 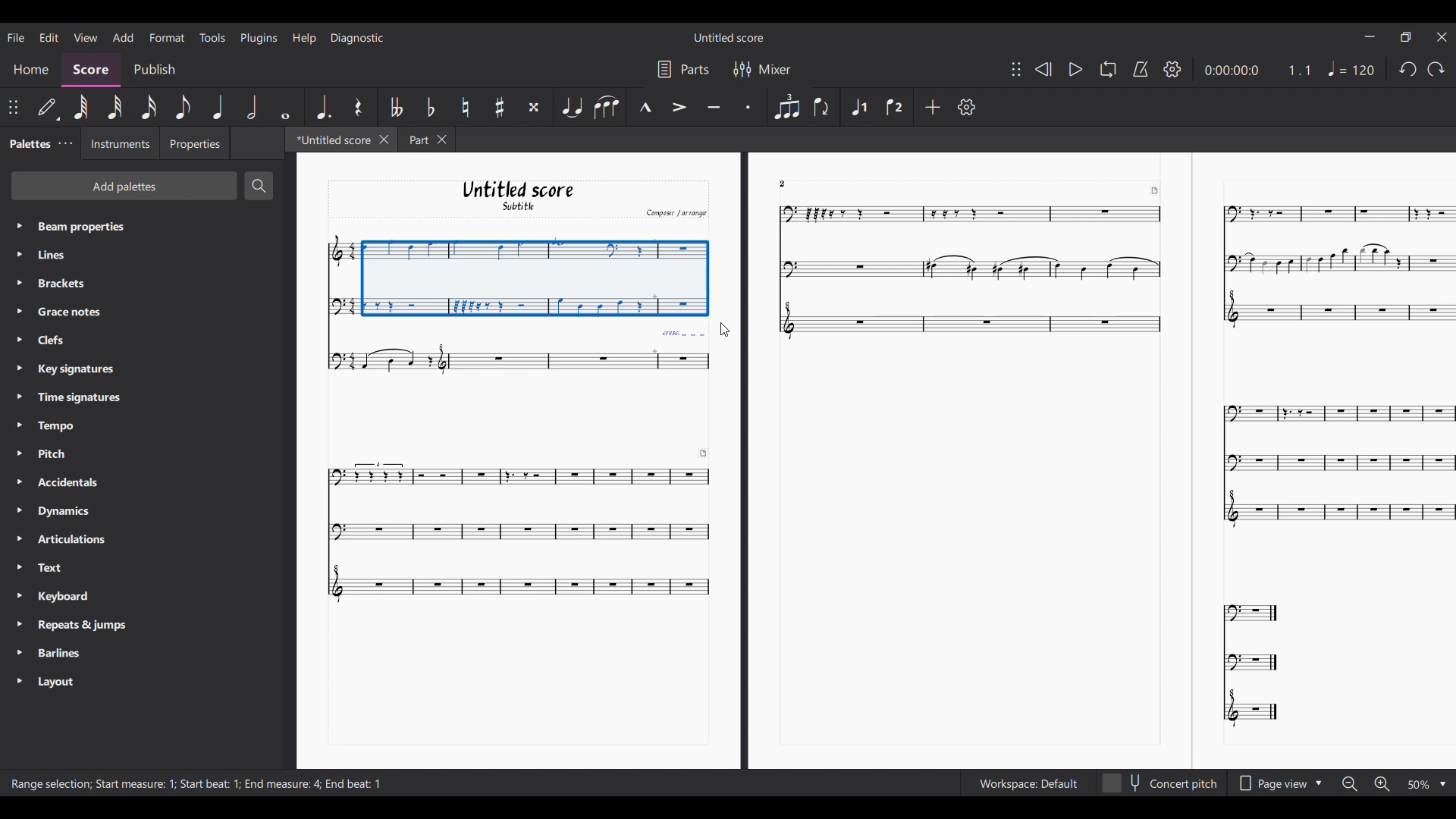 I want to click on Zoom options, so click(x=1418, y=785).